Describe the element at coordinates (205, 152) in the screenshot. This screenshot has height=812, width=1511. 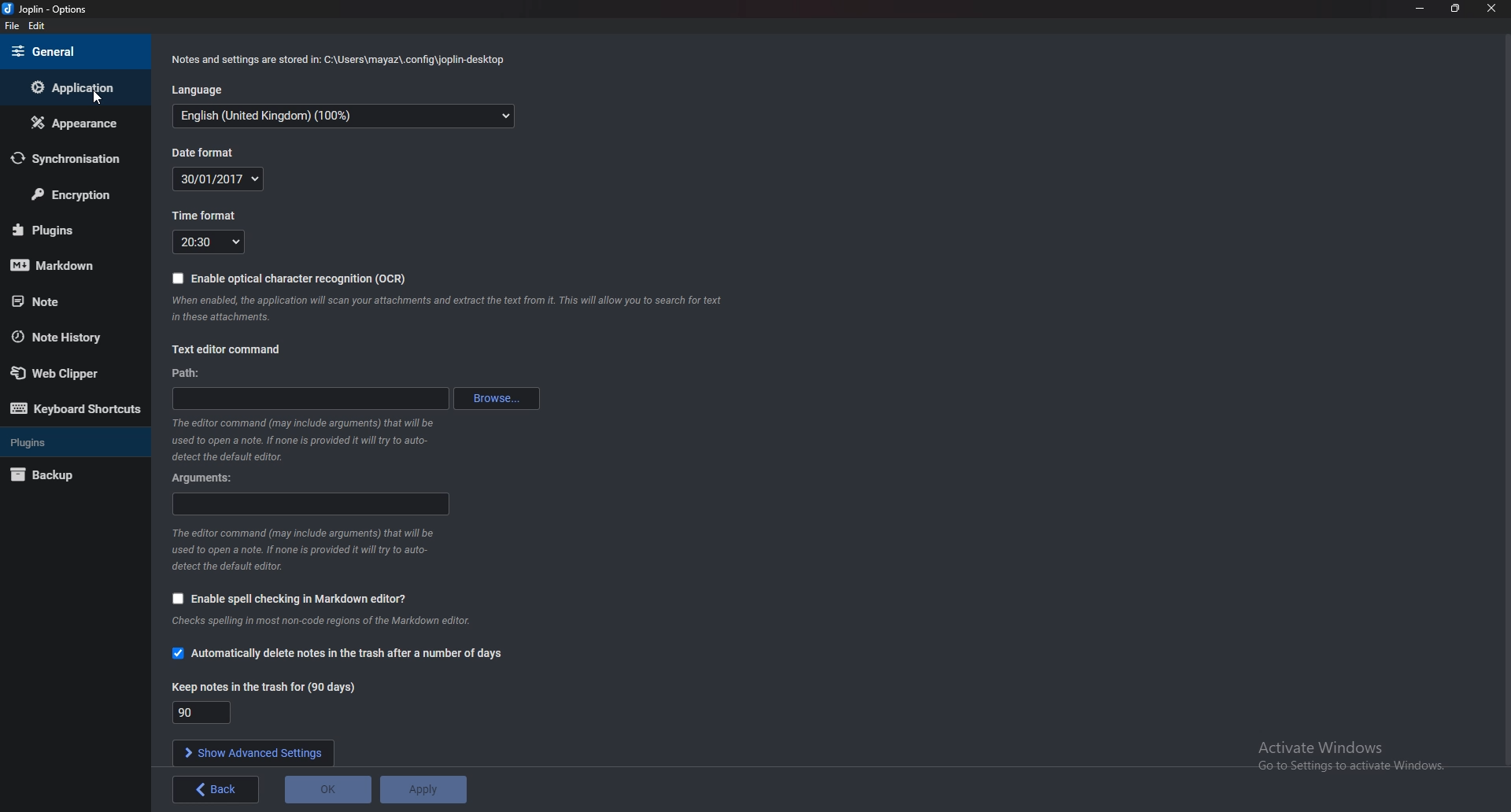
I see `date format` at that location.